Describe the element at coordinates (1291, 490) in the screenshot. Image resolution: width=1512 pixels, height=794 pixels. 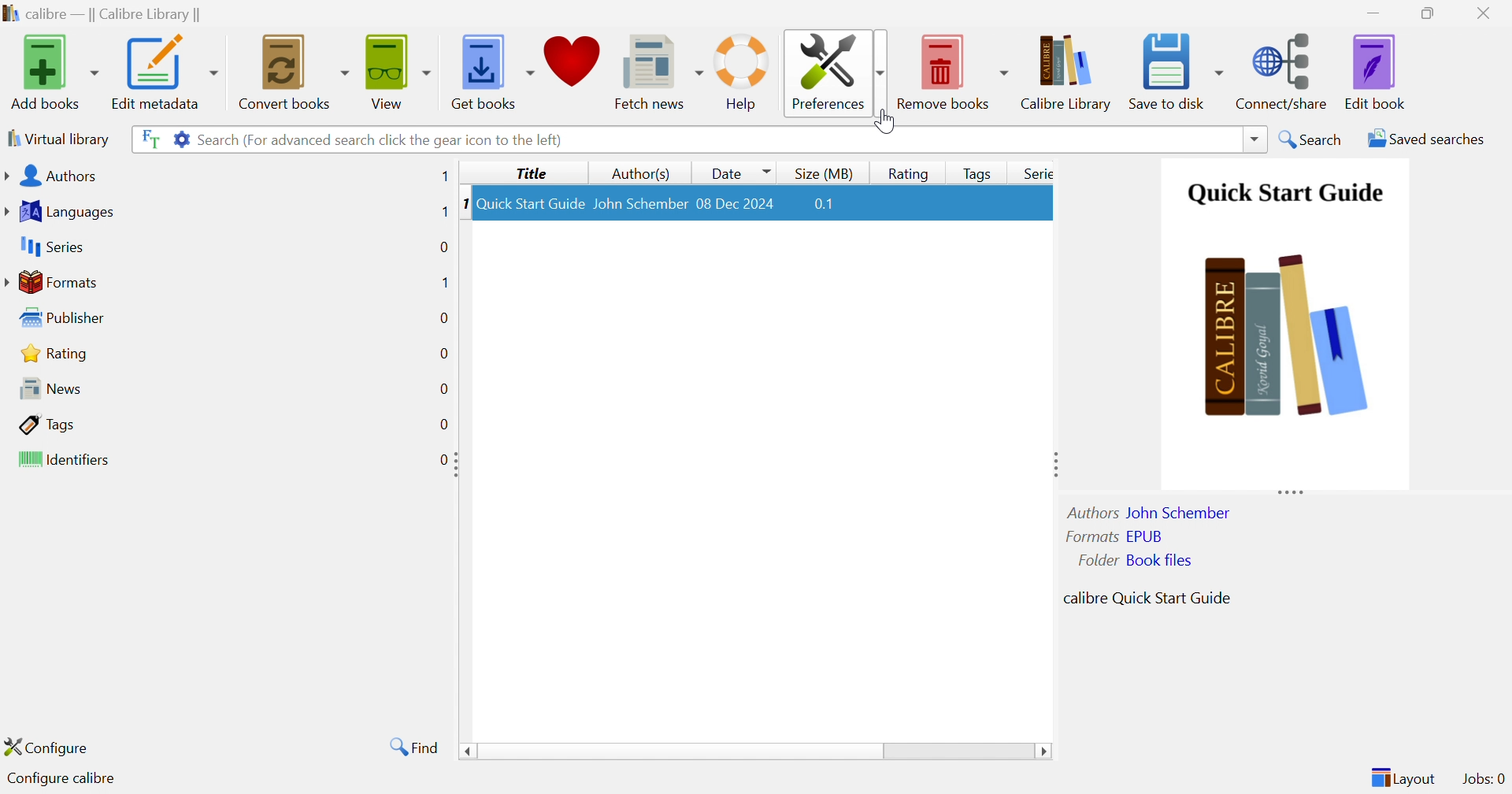
I see `Expand` at that location.